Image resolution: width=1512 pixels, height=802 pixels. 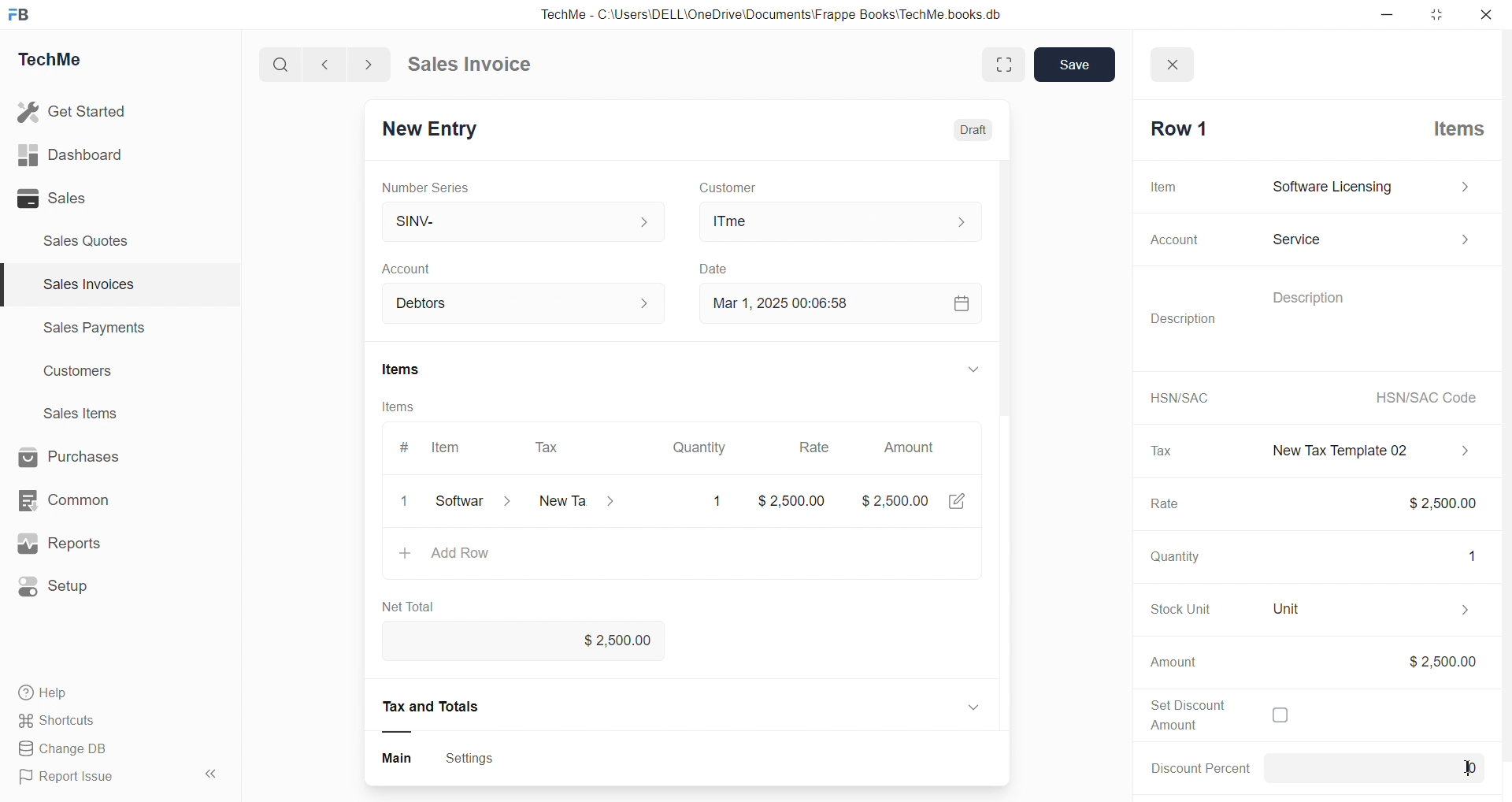 What do you see at coordinates (412, 408) in the screenshot?
I see `Items` at bounding box center [412, 408].